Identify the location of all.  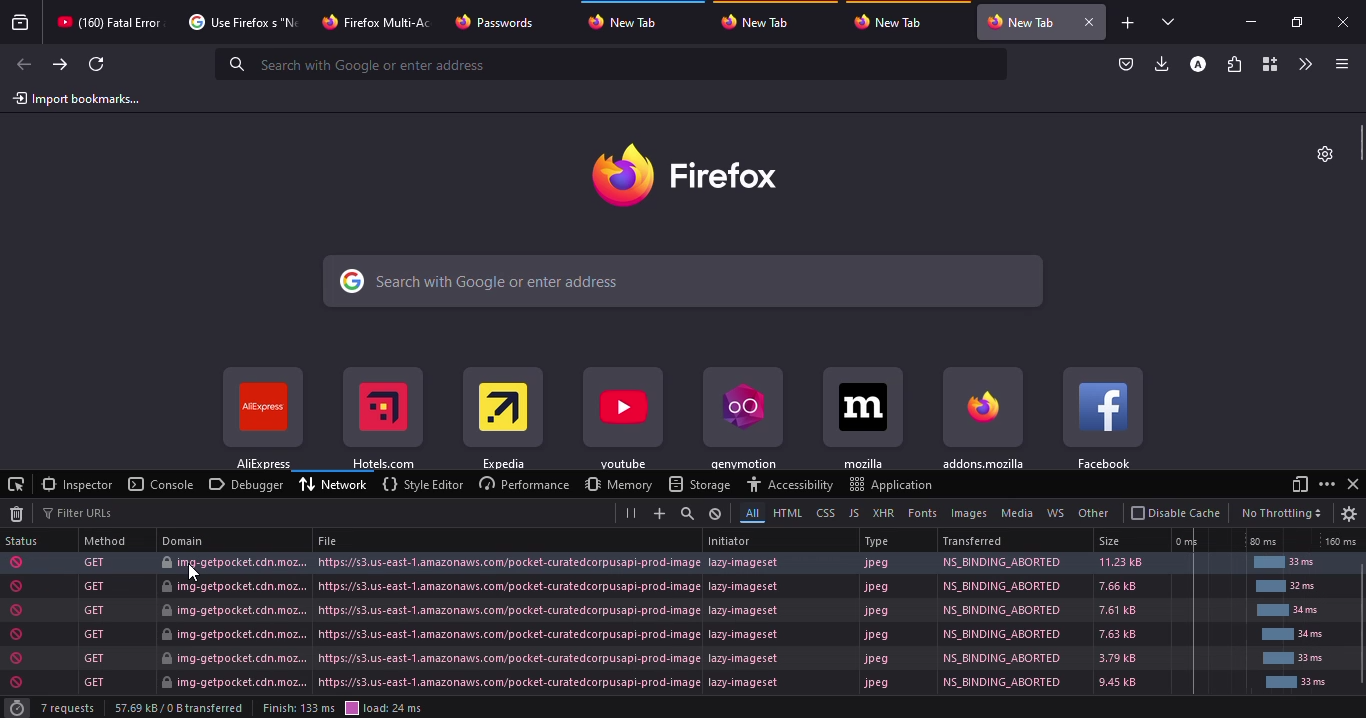
(748, 512).